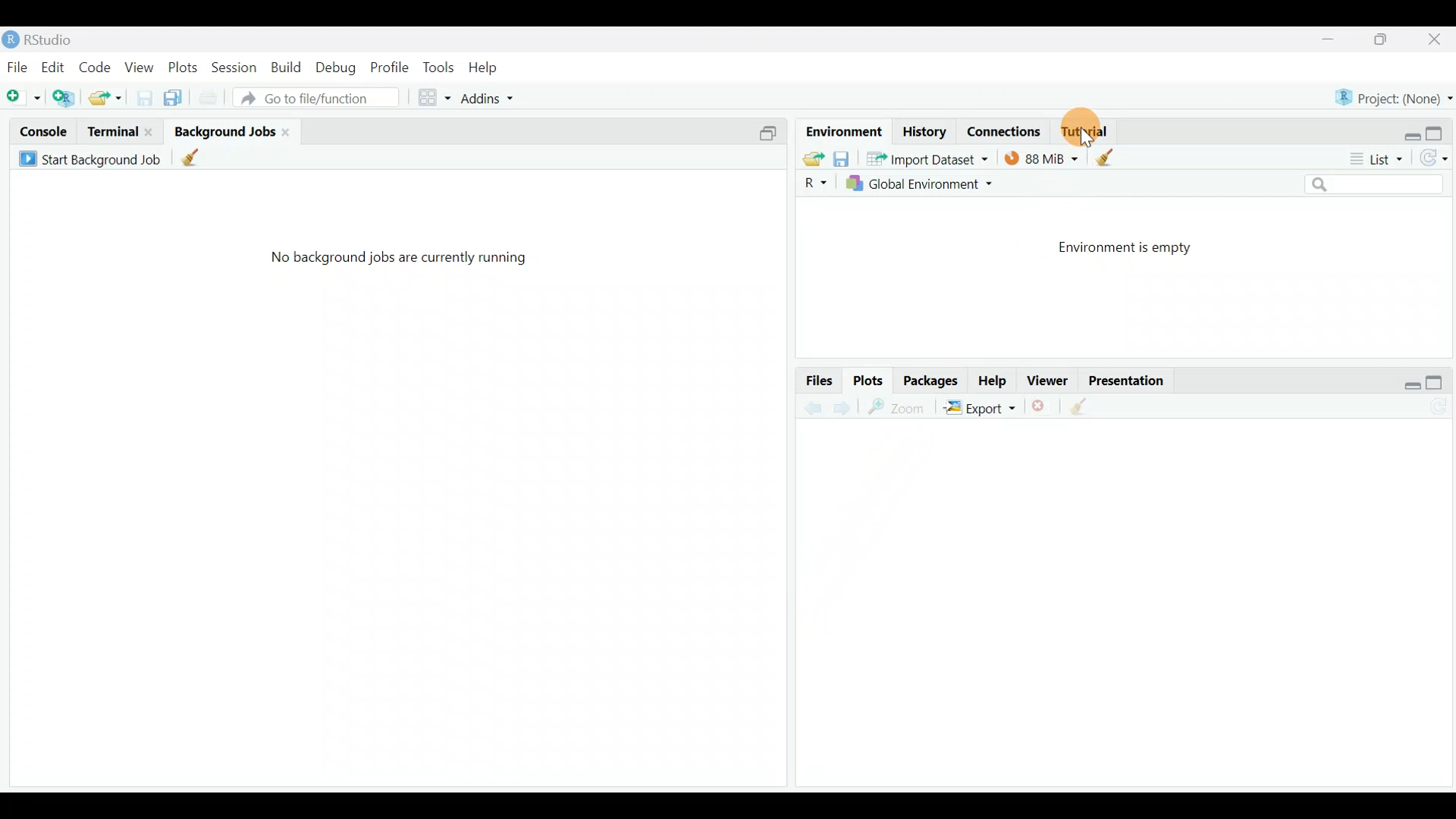 This screenshot has width=1456, height=819. Describe the element at coordinates (1378, 160) in the screenshot. I see `List` at that location.